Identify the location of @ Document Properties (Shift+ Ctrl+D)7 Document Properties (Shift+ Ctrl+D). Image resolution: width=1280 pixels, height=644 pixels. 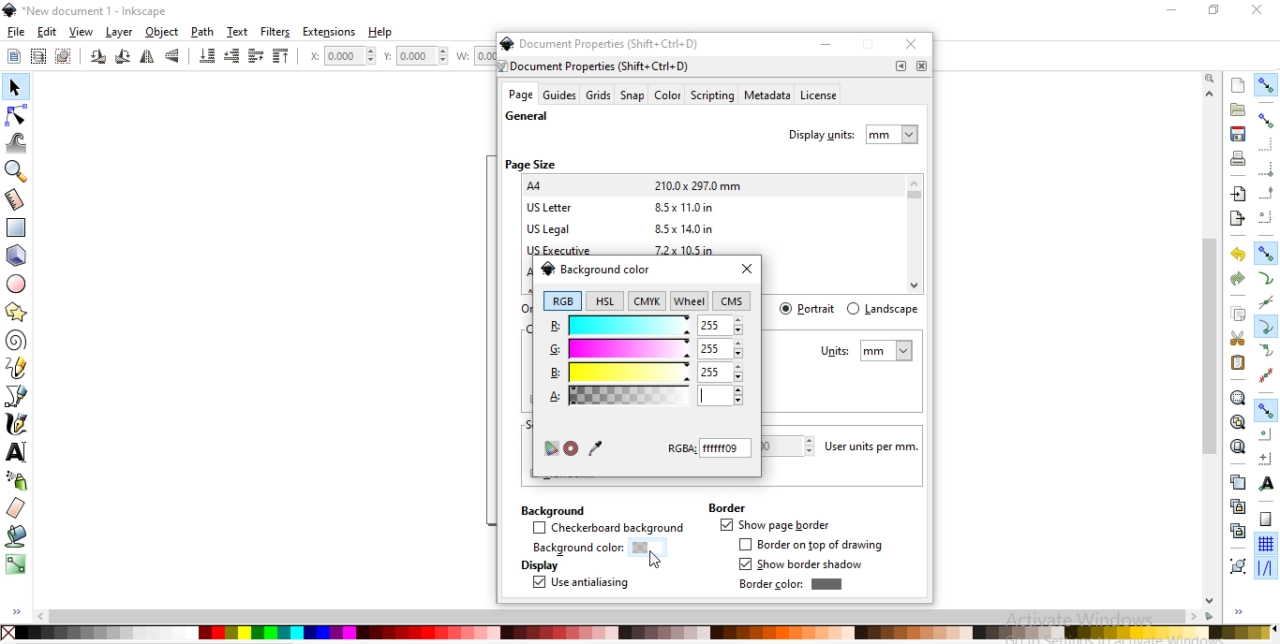
(606, 54).